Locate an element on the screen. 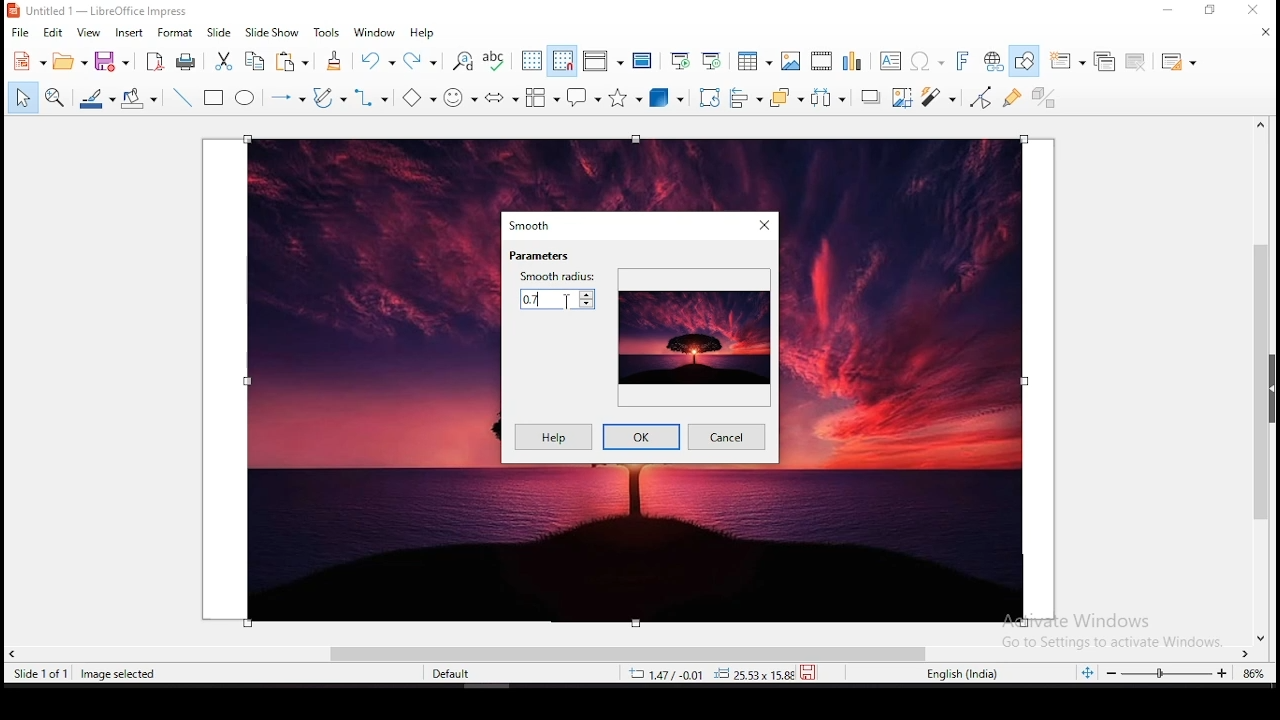 The image size is (1280, 720).  slide layout is located at coordinates (1178, 62).